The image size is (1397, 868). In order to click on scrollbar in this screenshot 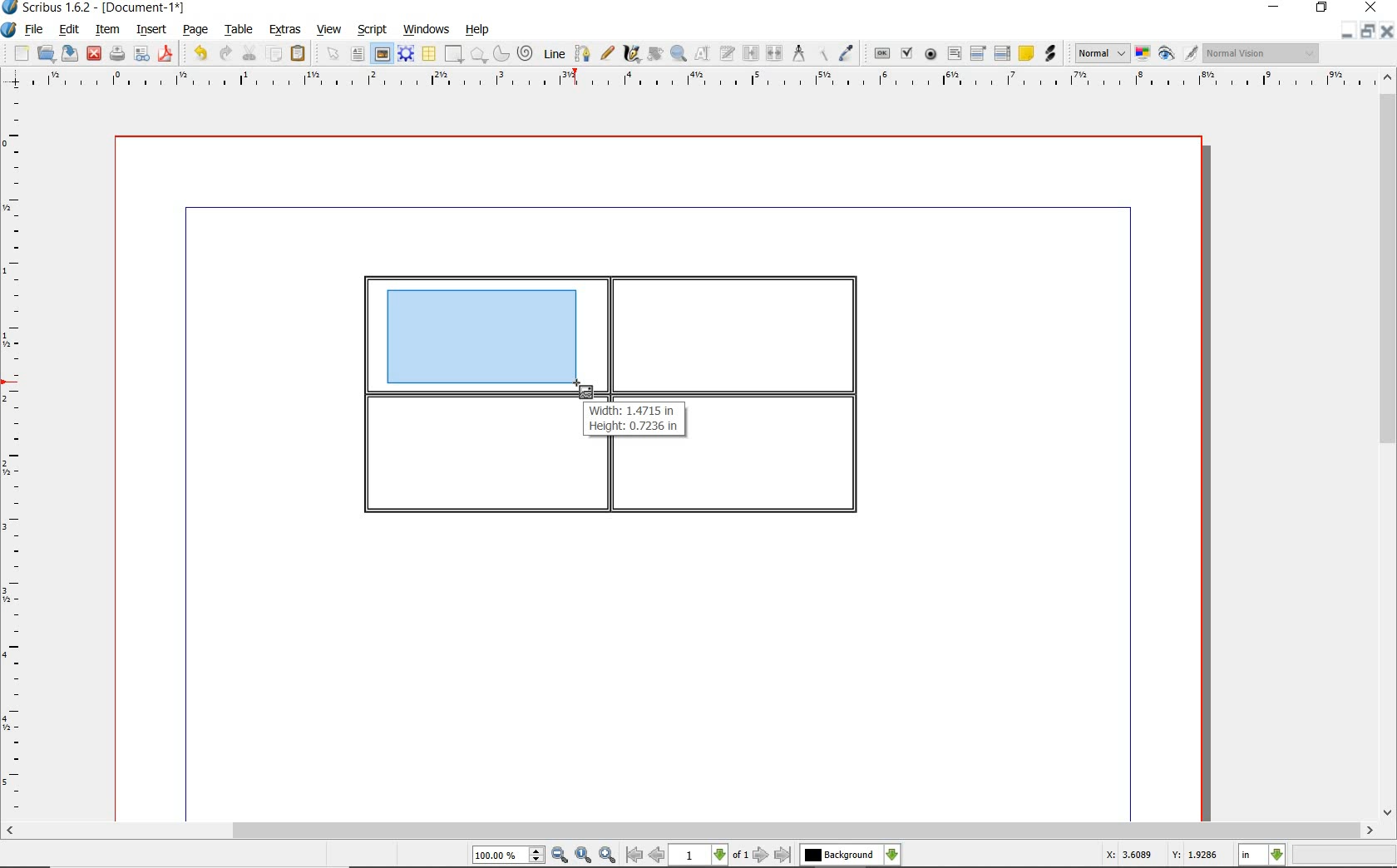, I will do `click(689, 831)`.